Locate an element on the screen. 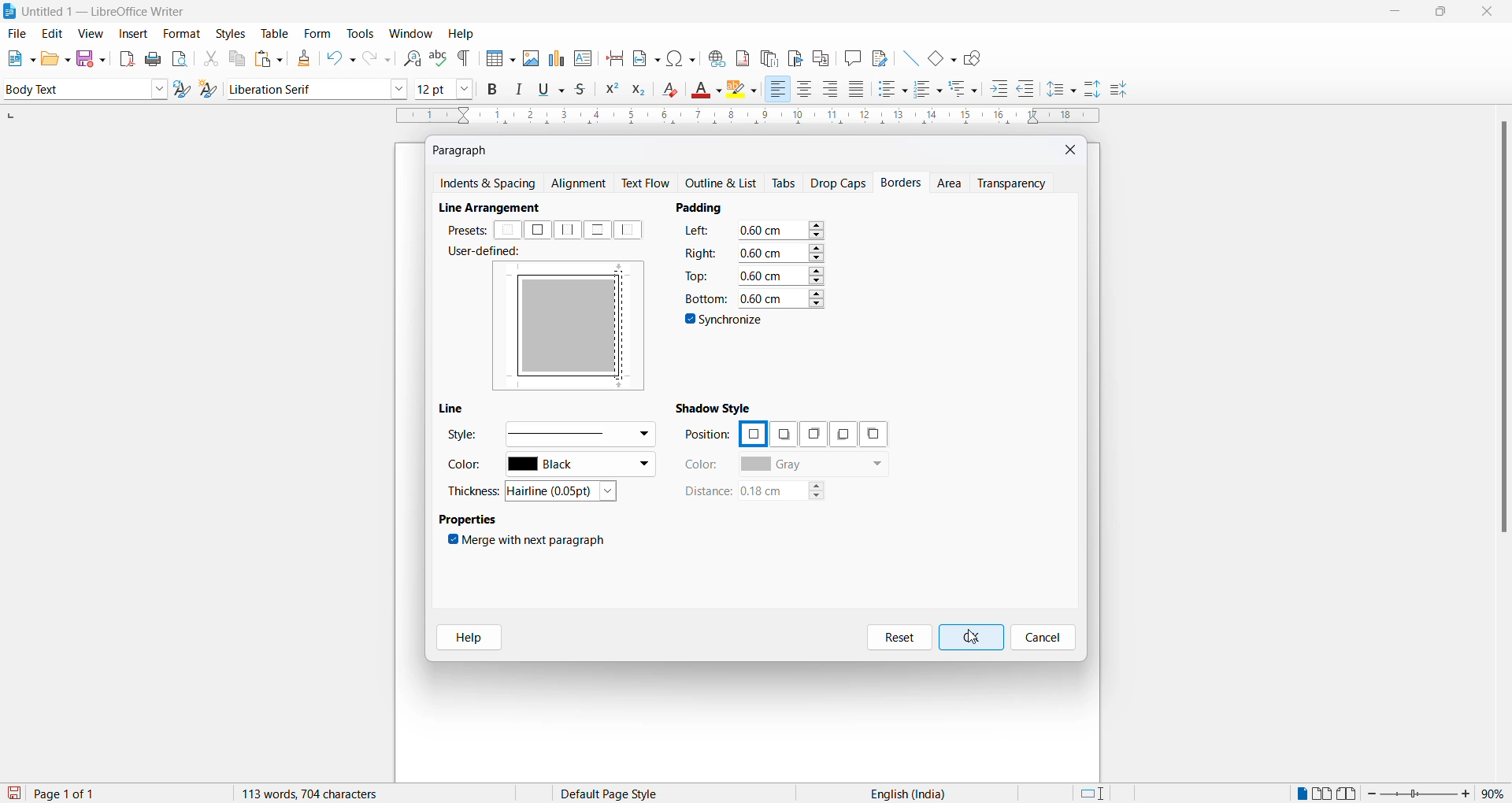 This screenshot has width=1512, height=803. position options is located at coordinates (783, 435).